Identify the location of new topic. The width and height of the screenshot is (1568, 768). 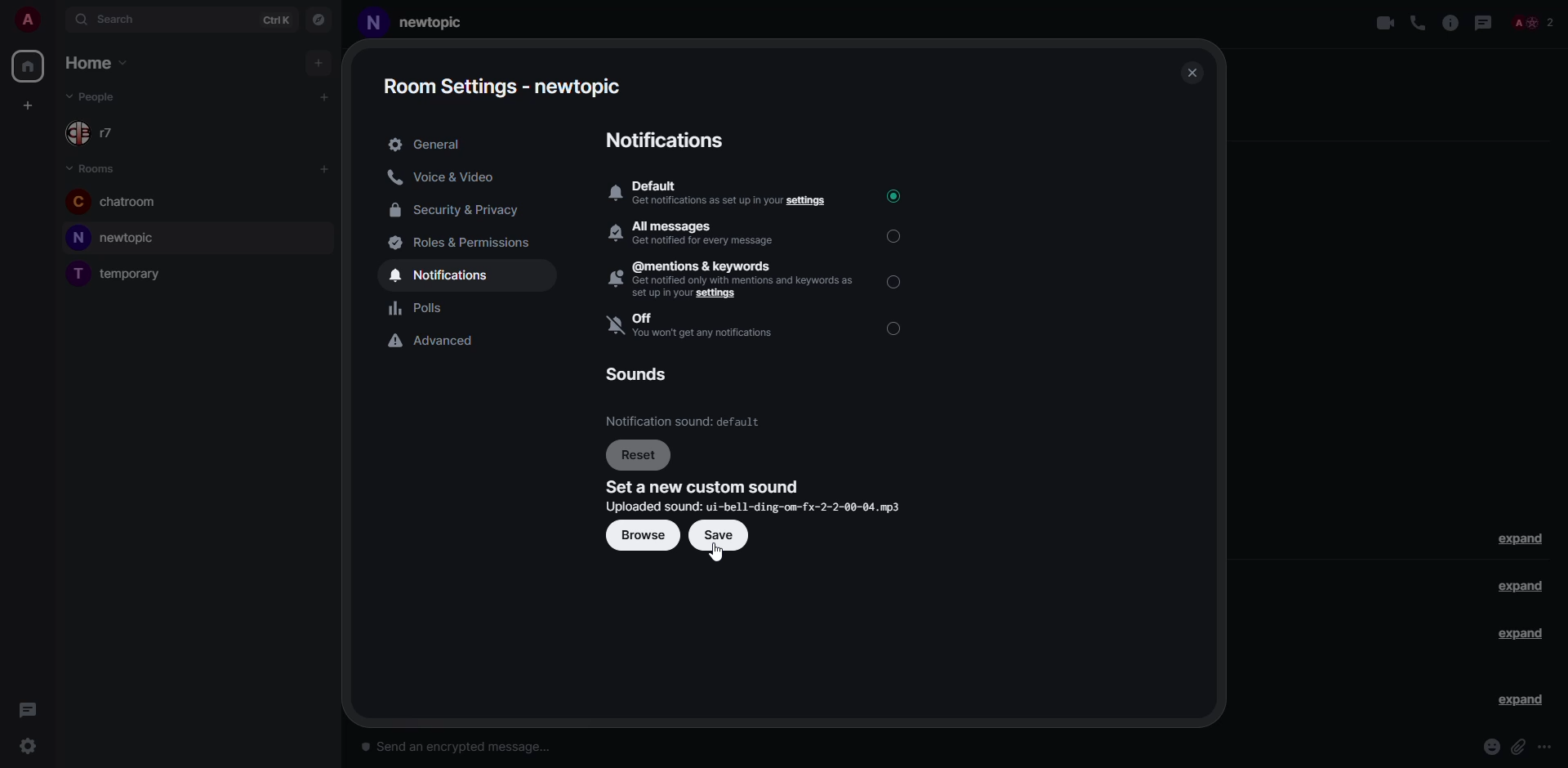
(417, 25).